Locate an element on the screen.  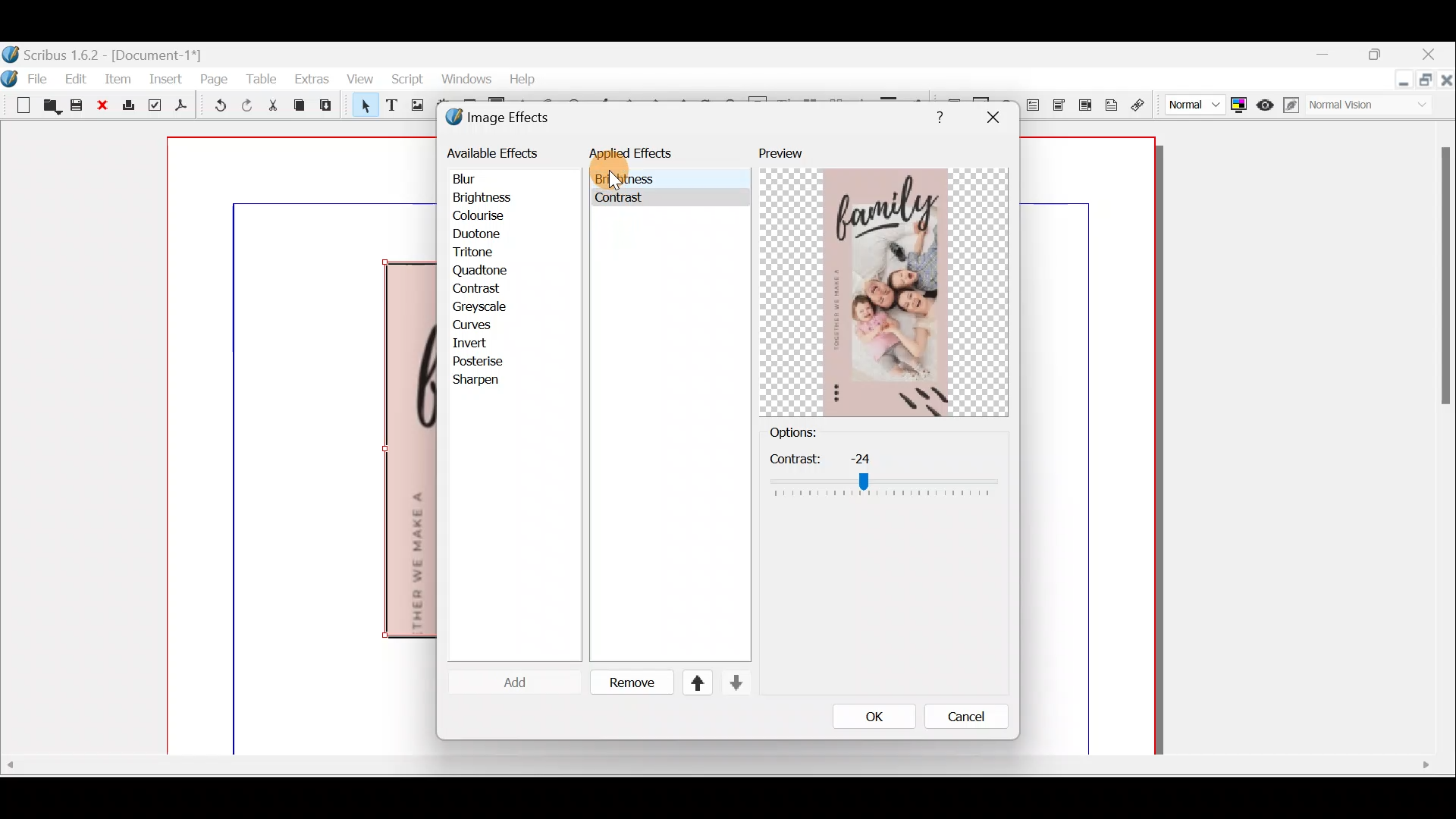
maximise is located at coordinates (1379, 57).